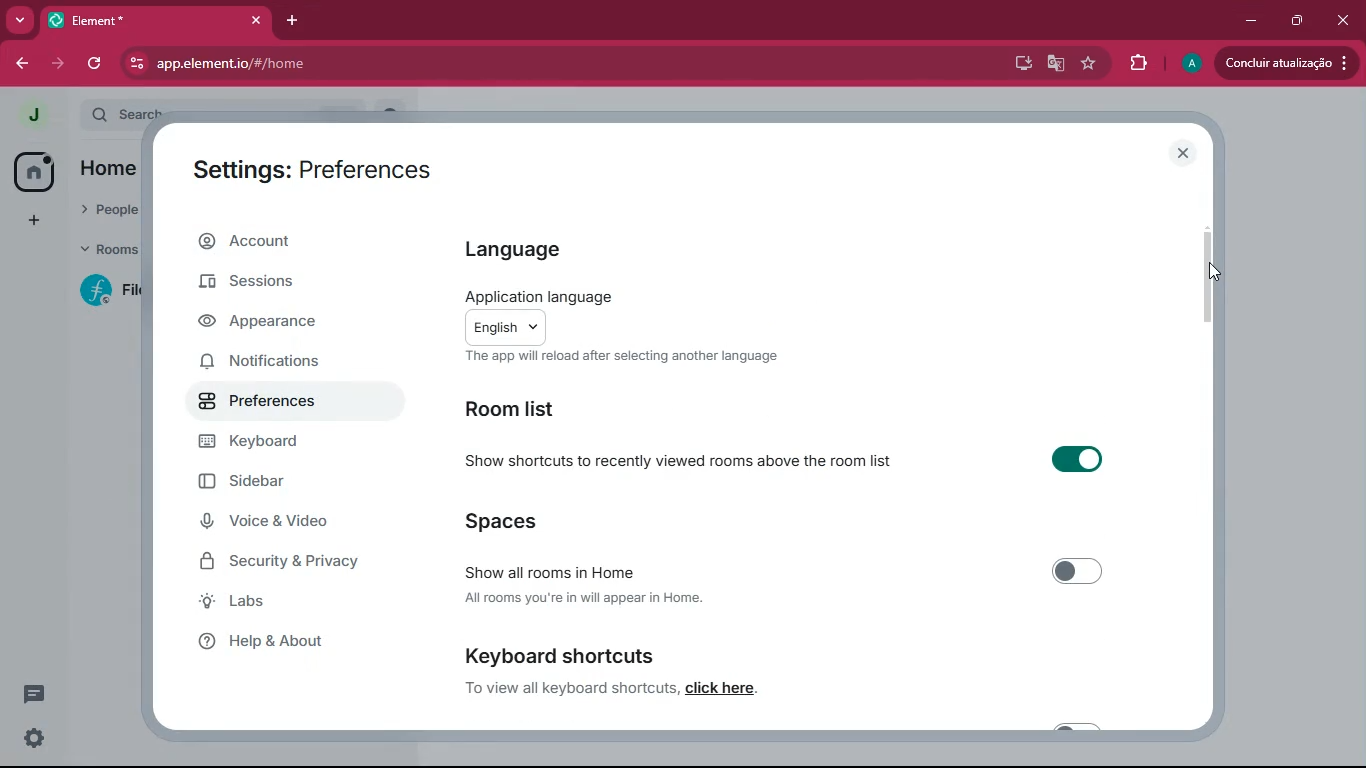 The height and width of the screenshot is (768, 1366). I want to click on account, so click(290, 244).